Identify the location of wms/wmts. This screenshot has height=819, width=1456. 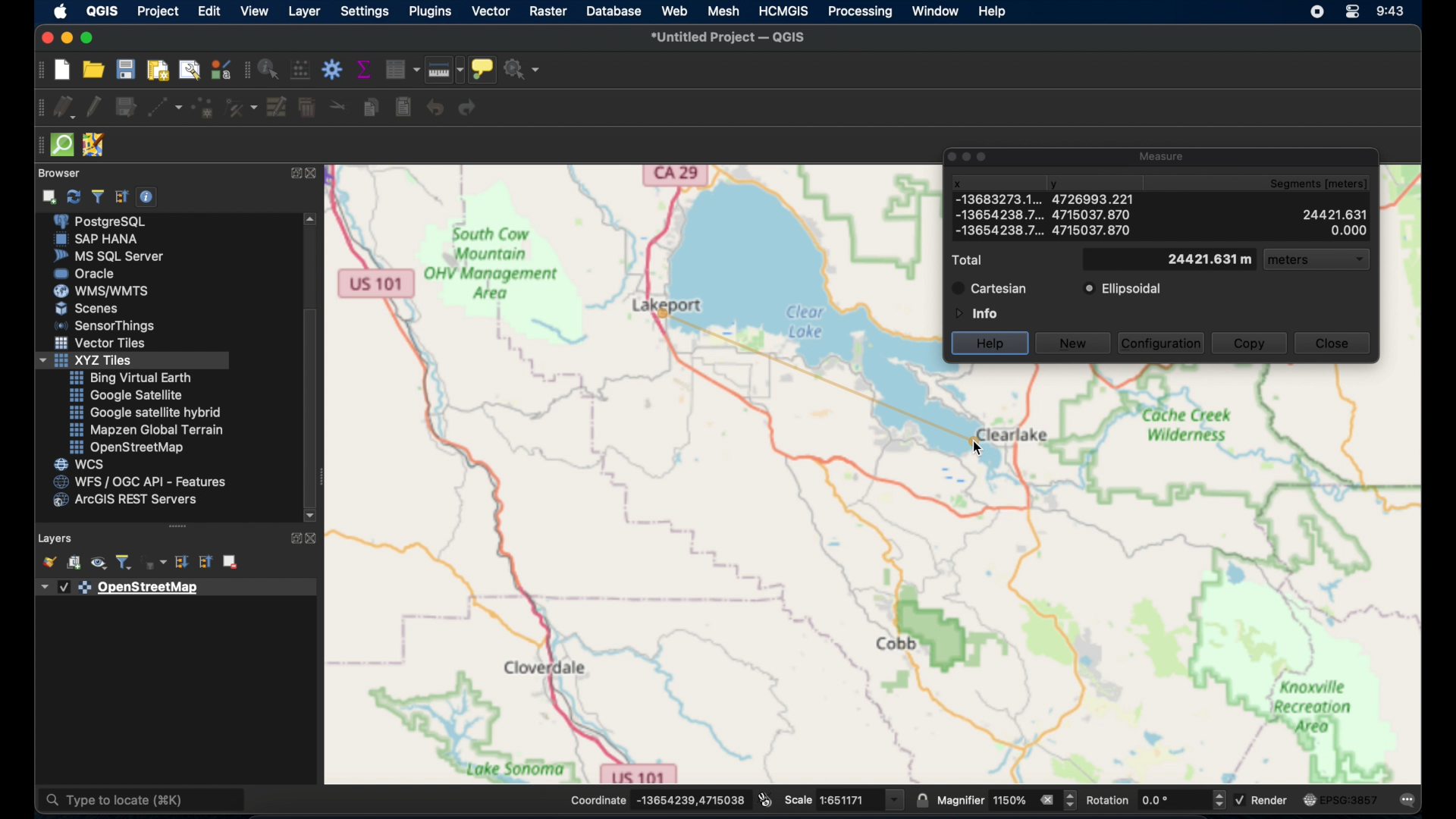
(103, 290).